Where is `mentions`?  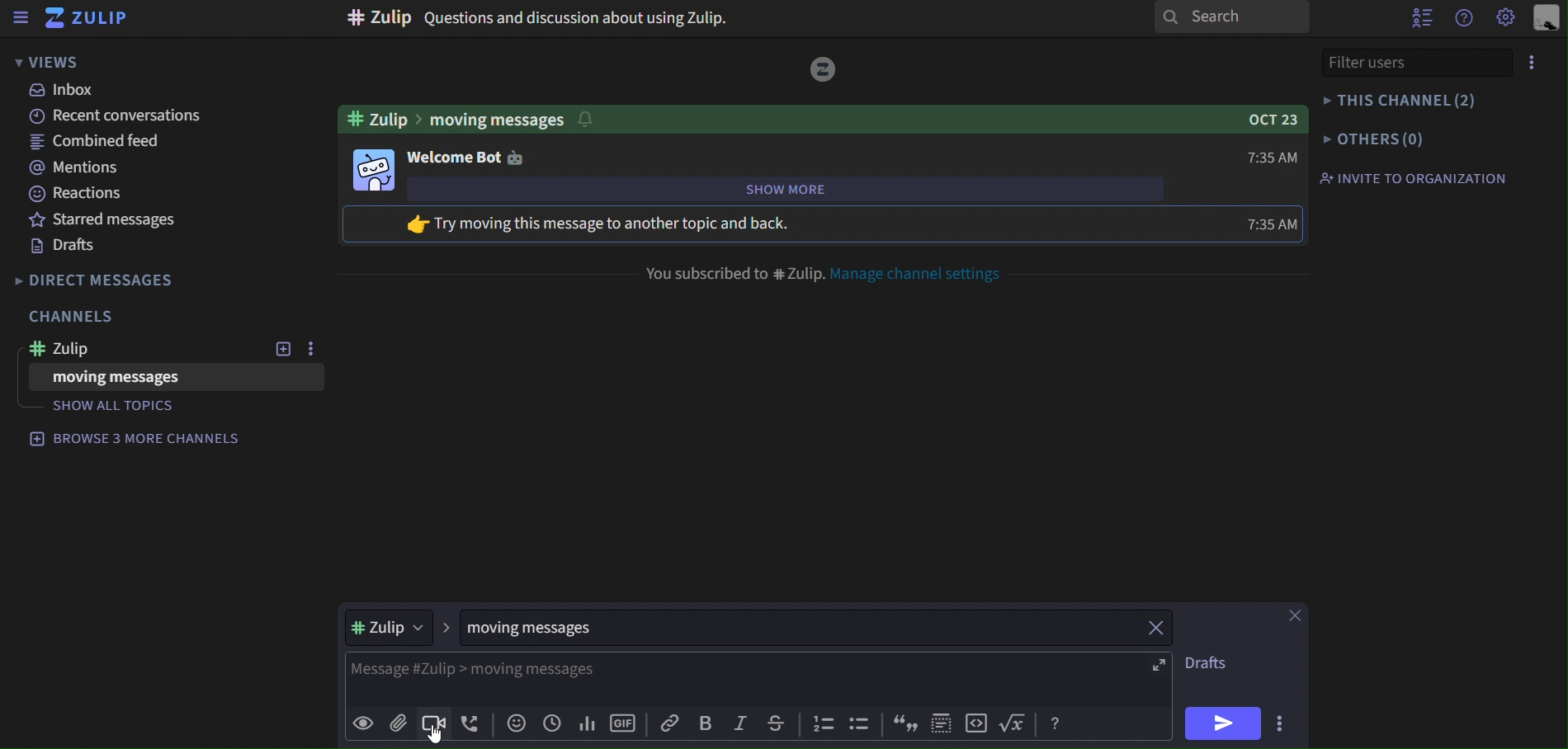 mentions is located at coordinates (73, 167).